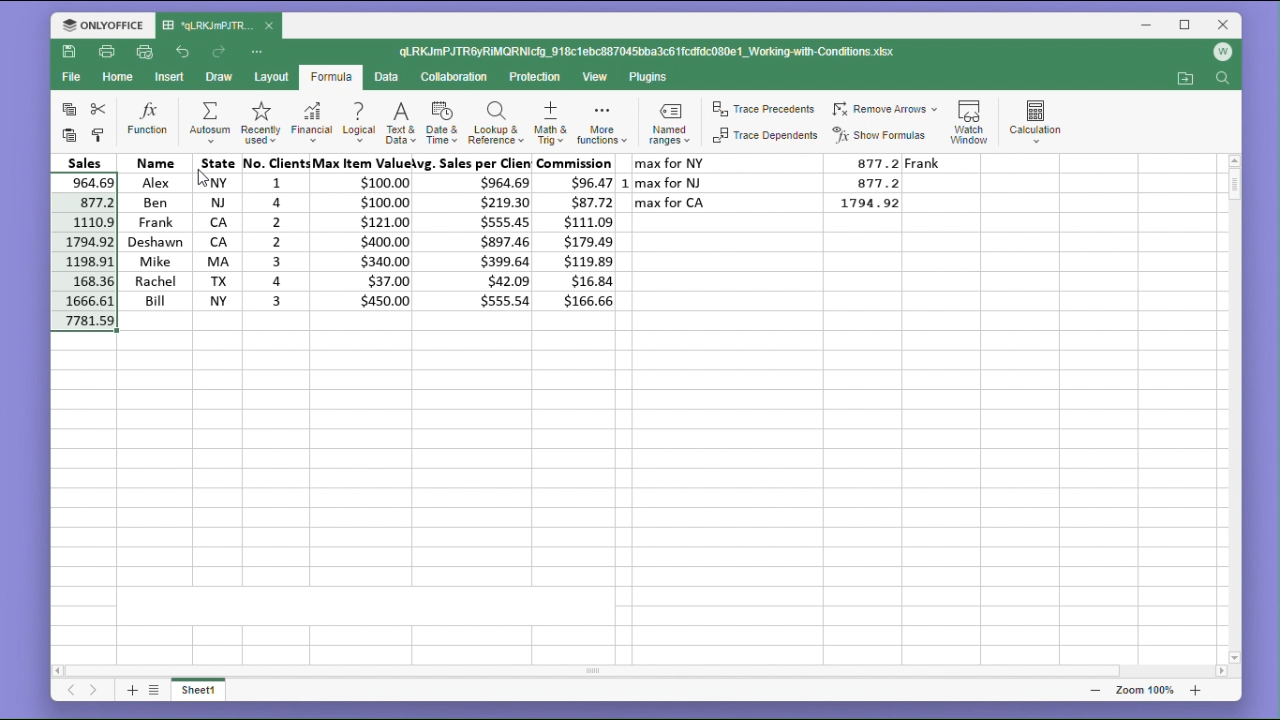  What do you see at coordinates (208, 25) in the screenshot?
I see `'qLRKJmPJTR...` at bounding box center [208, 25].